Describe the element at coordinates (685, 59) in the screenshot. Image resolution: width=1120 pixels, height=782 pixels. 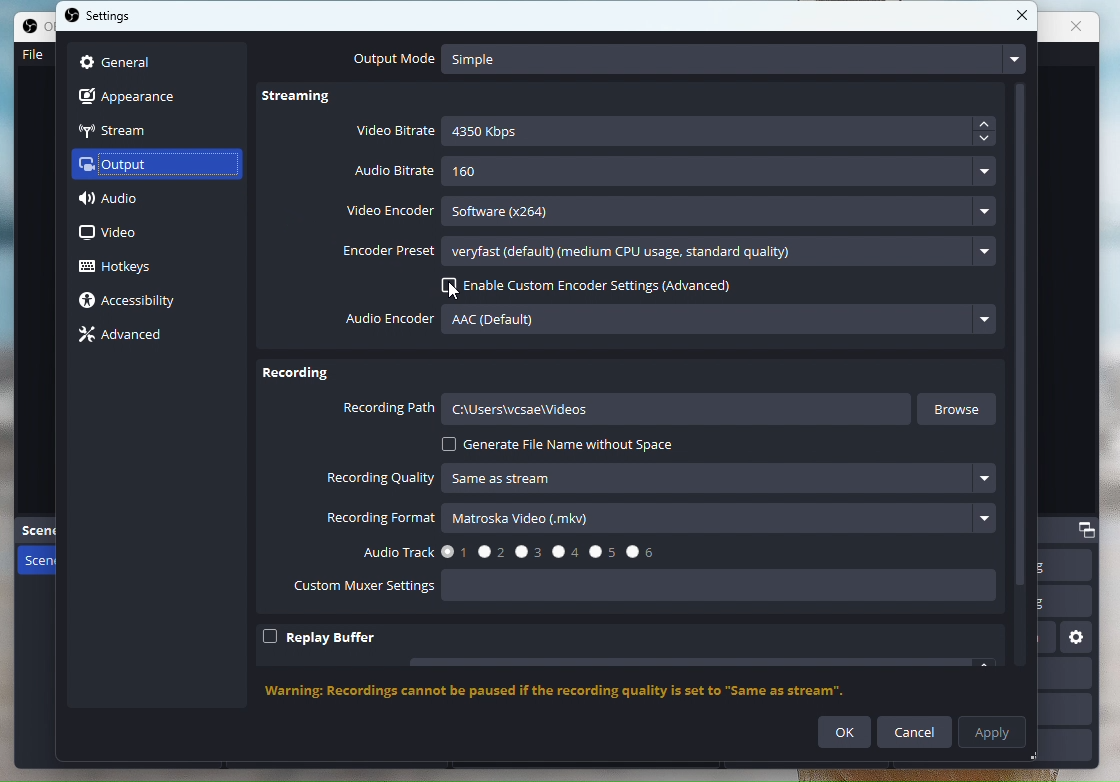
I see `Output Mode` at that location.